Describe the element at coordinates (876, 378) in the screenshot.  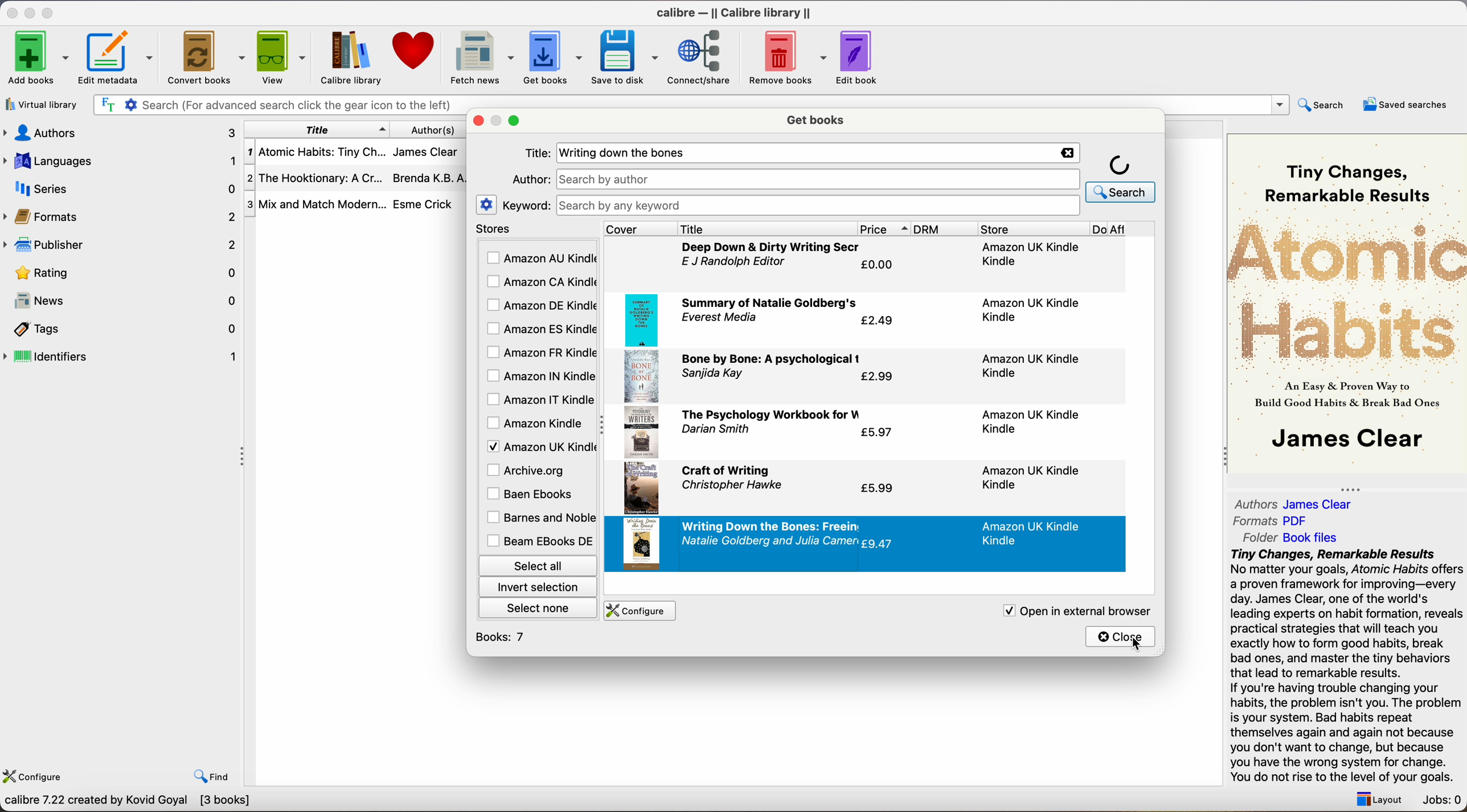
I see `€2.99` at that location.